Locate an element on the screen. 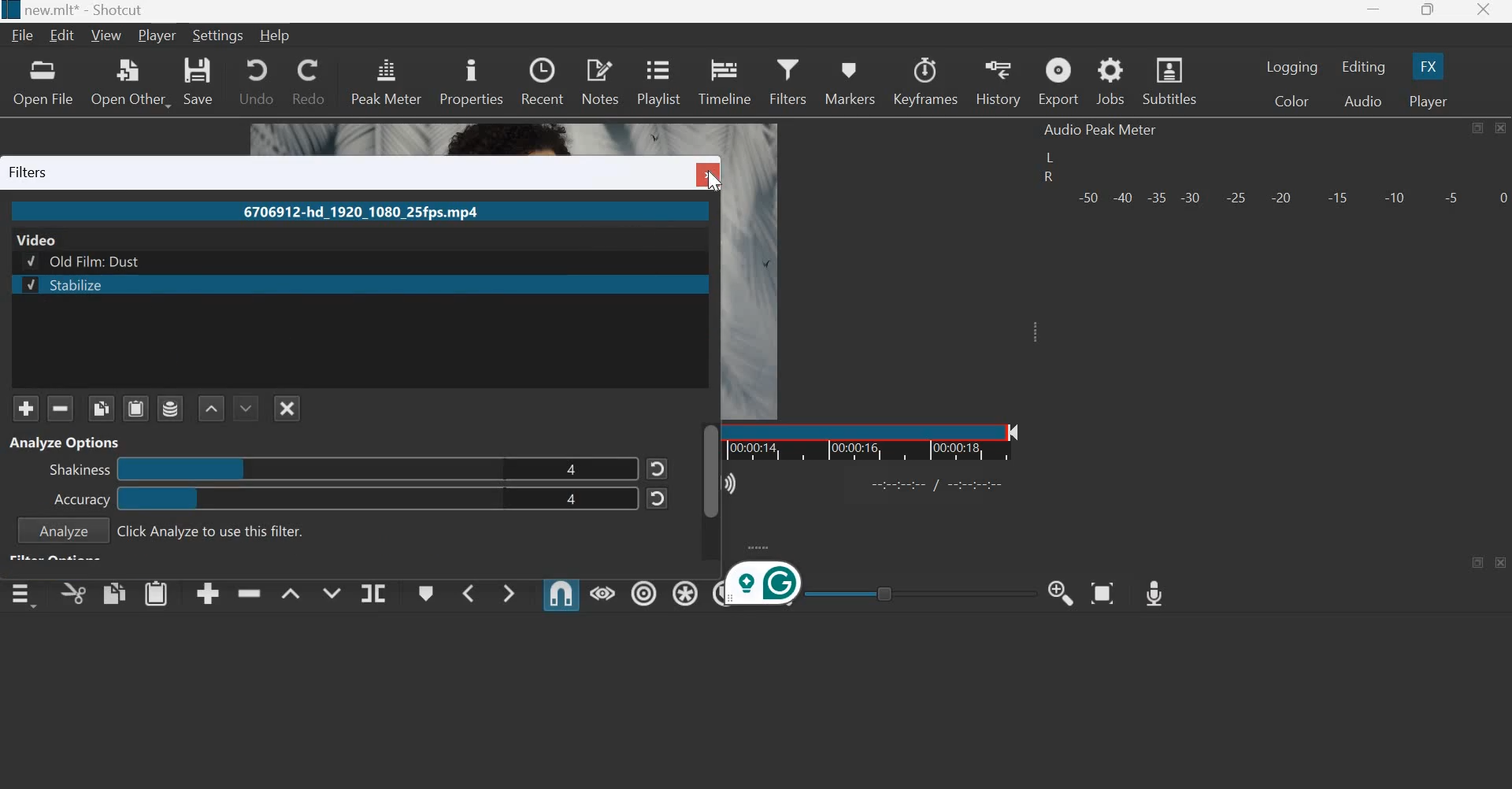 This screenshot has height=789, width=1512. Left is located at coordinates (1049, 157).